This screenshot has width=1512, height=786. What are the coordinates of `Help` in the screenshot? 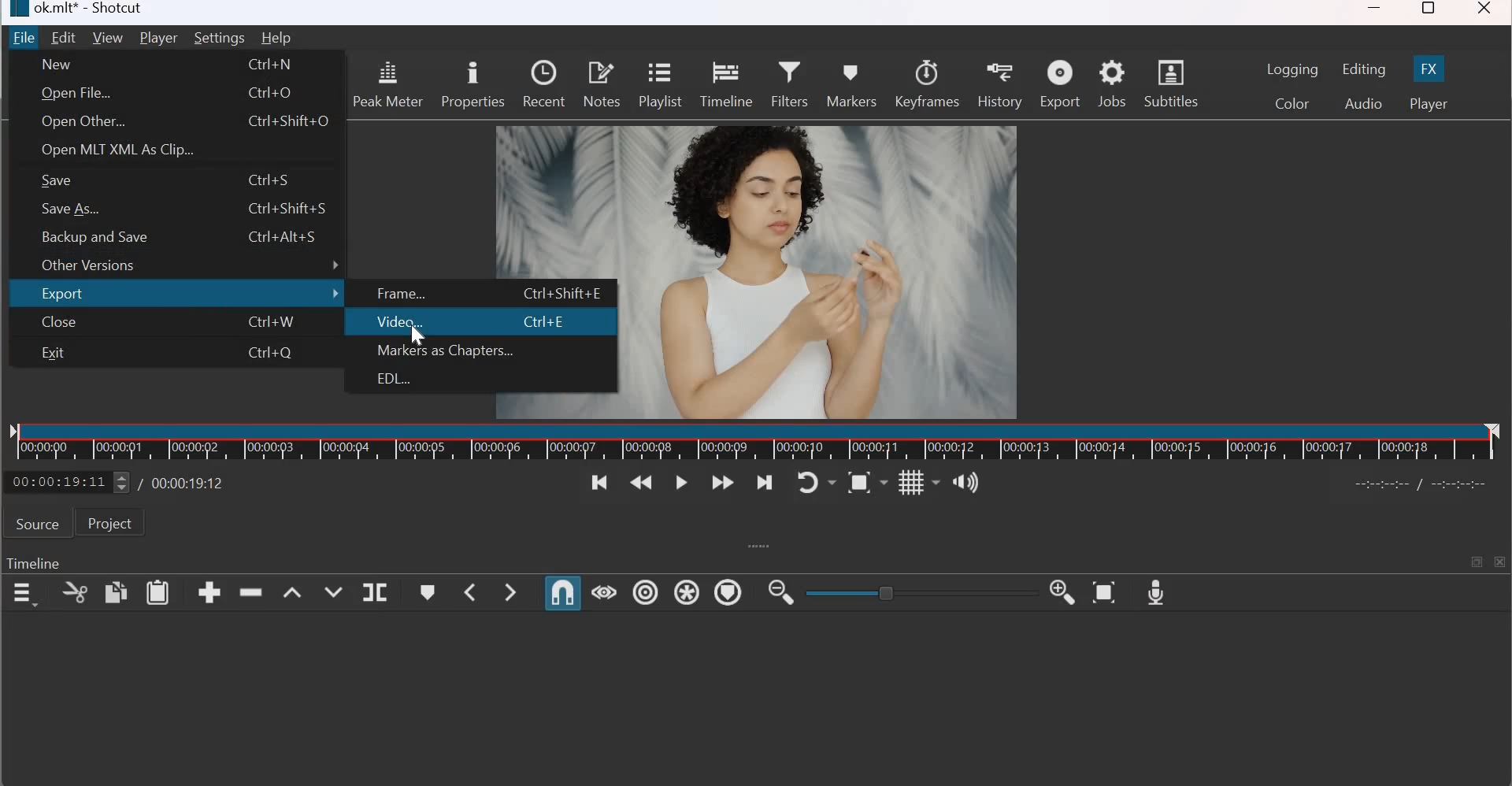 It's located at (276, 38).